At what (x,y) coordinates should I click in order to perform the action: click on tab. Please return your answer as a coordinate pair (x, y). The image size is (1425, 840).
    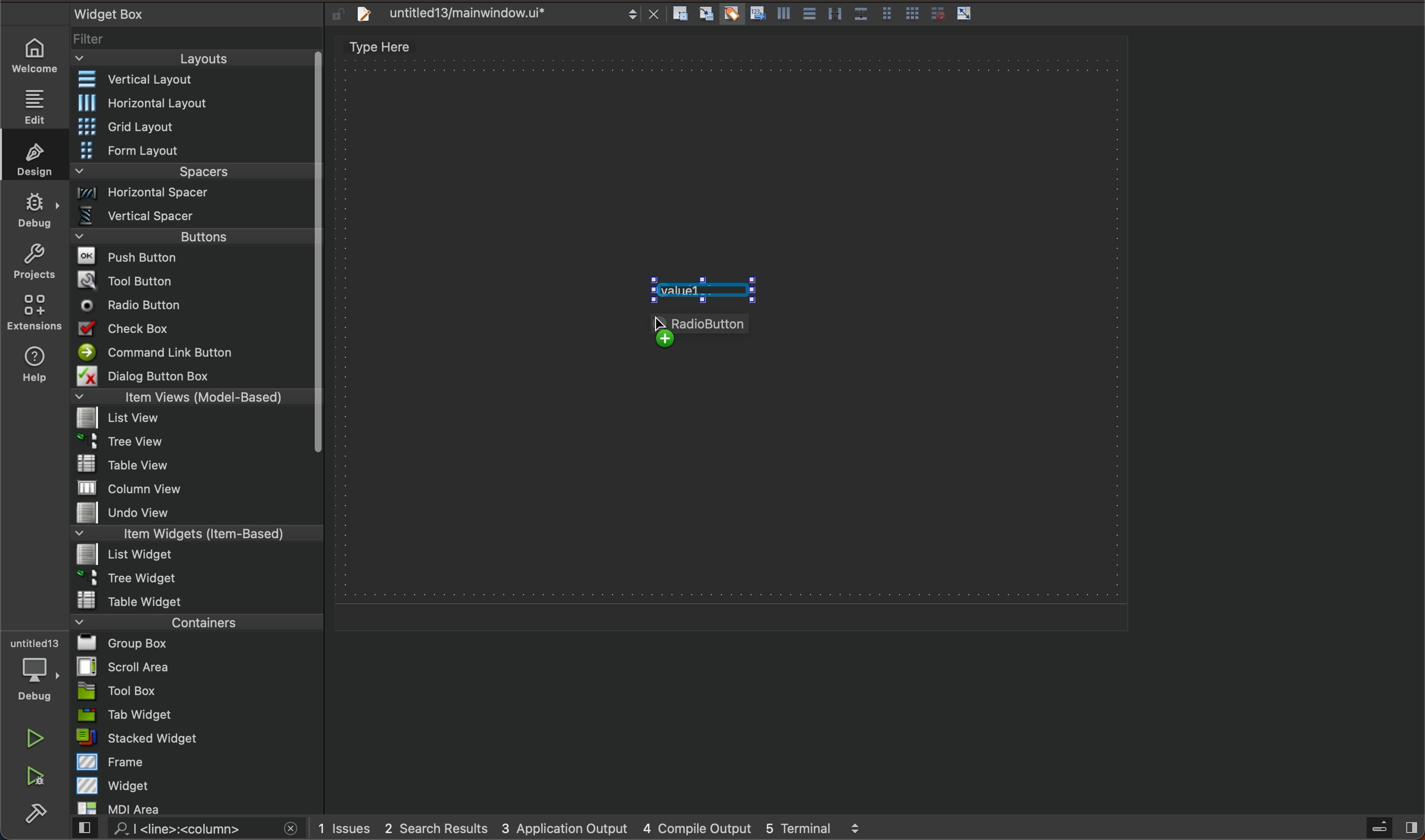
    Looking at the image, I should click on (199, 714).